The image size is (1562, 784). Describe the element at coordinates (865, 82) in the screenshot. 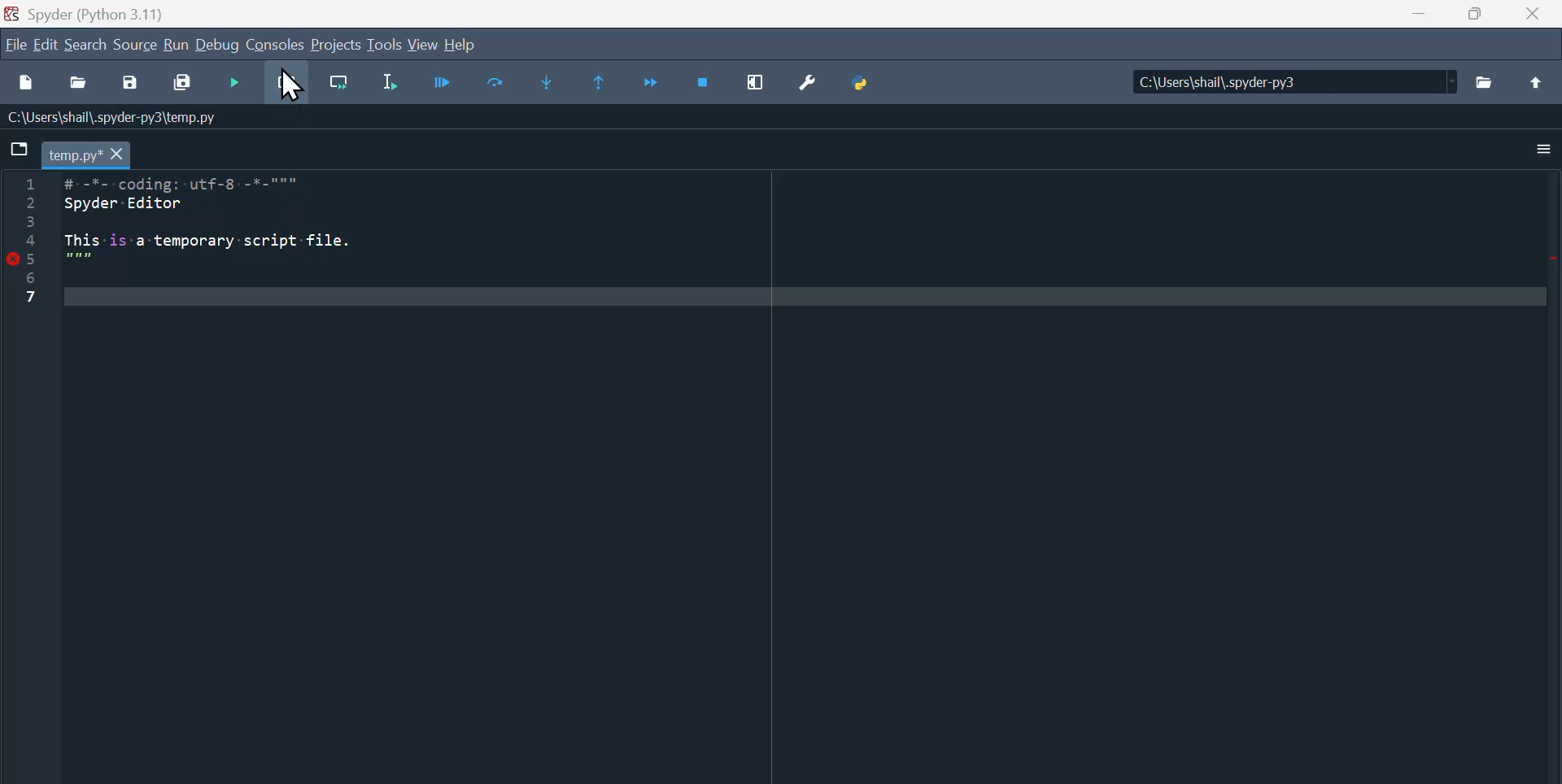

I see `Python path manager` at that location.